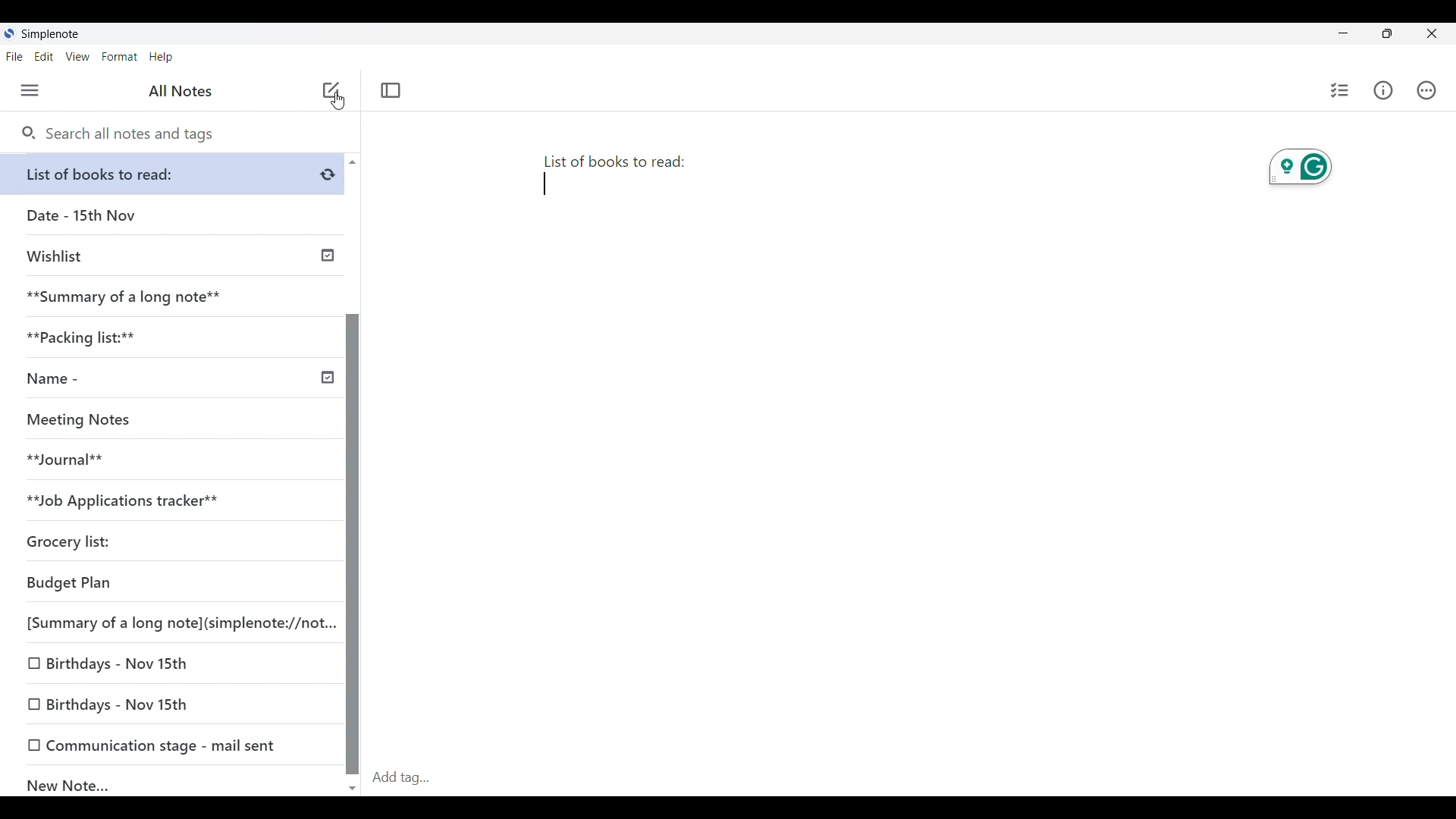 The image size is (1456, 819). I want to click on add note, so click(329, 89).